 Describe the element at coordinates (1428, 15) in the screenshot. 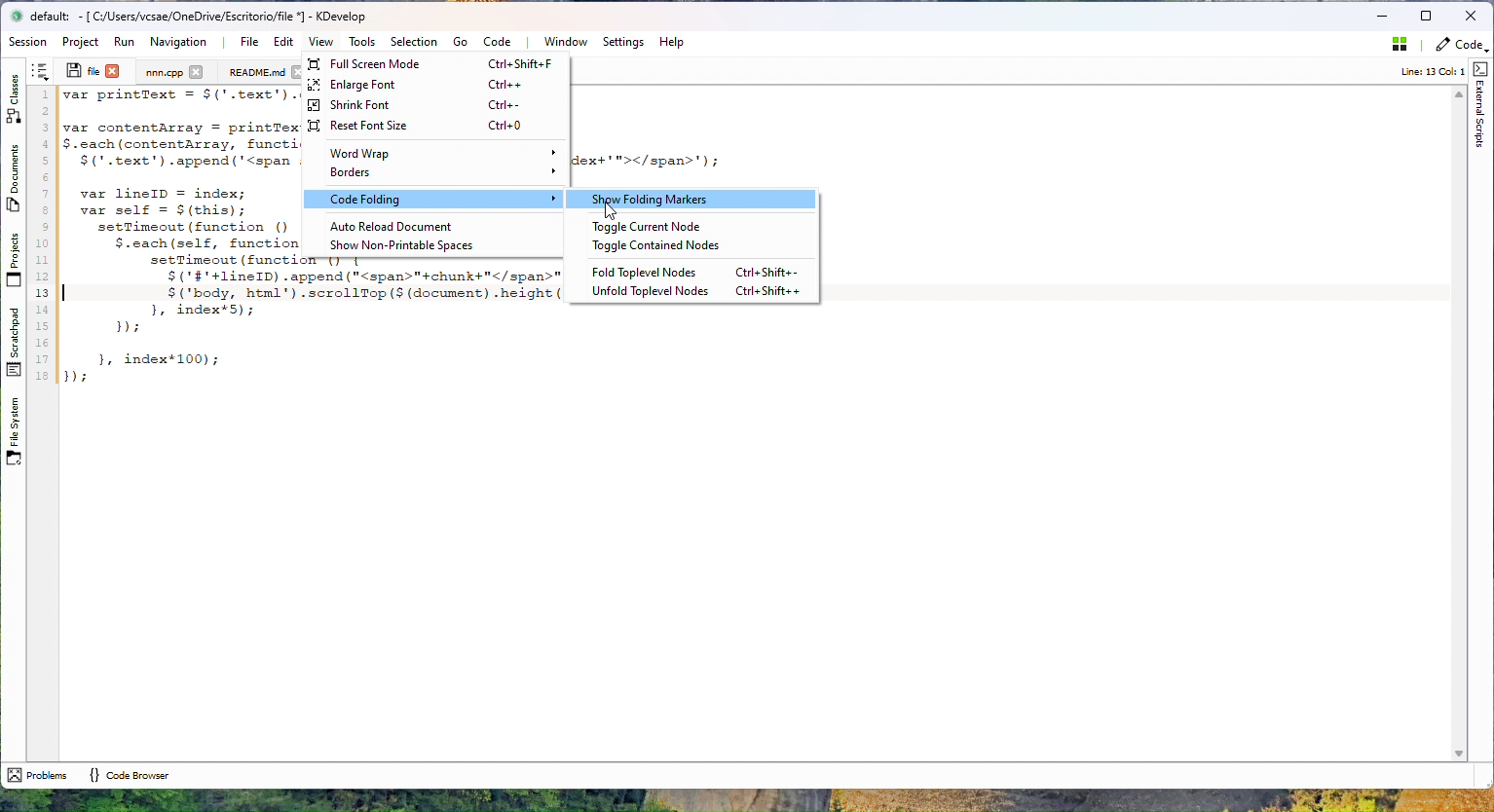

I see `Box` at that location.